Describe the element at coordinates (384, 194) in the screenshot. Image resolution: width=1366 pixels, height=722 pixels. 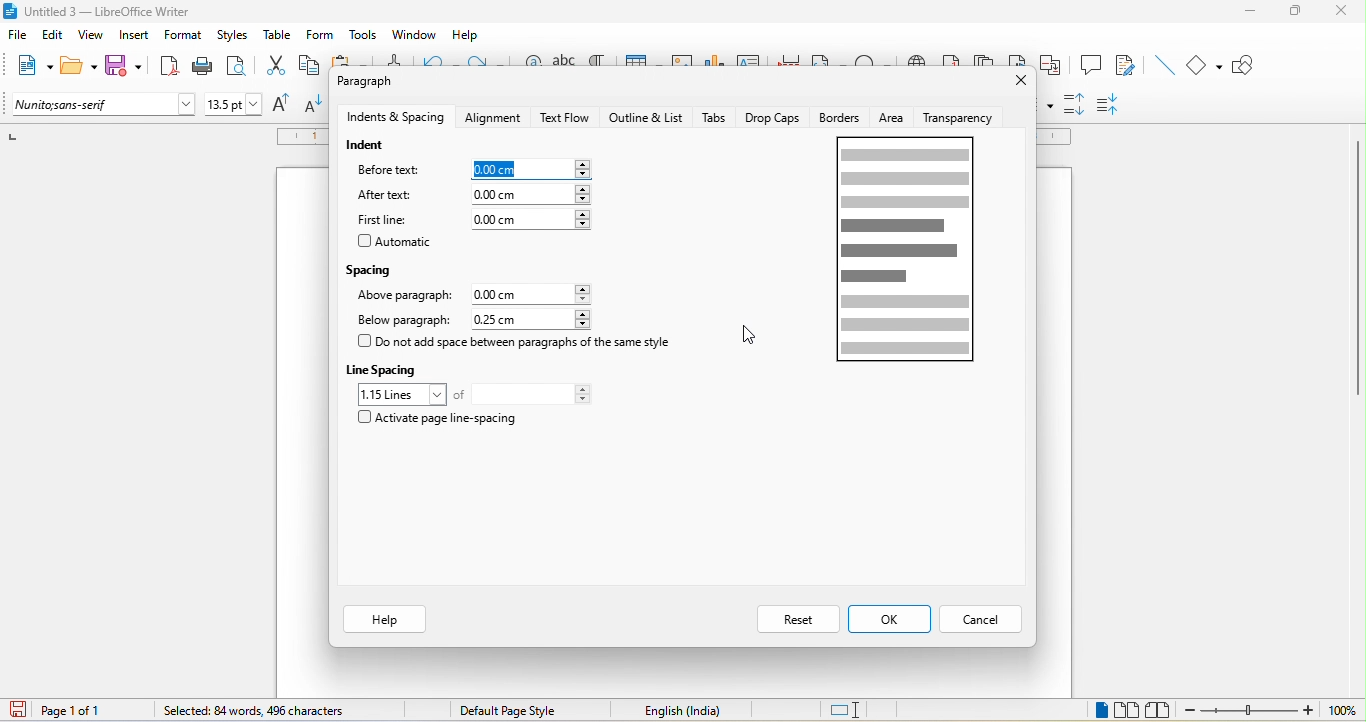
I see `after text` at that location.